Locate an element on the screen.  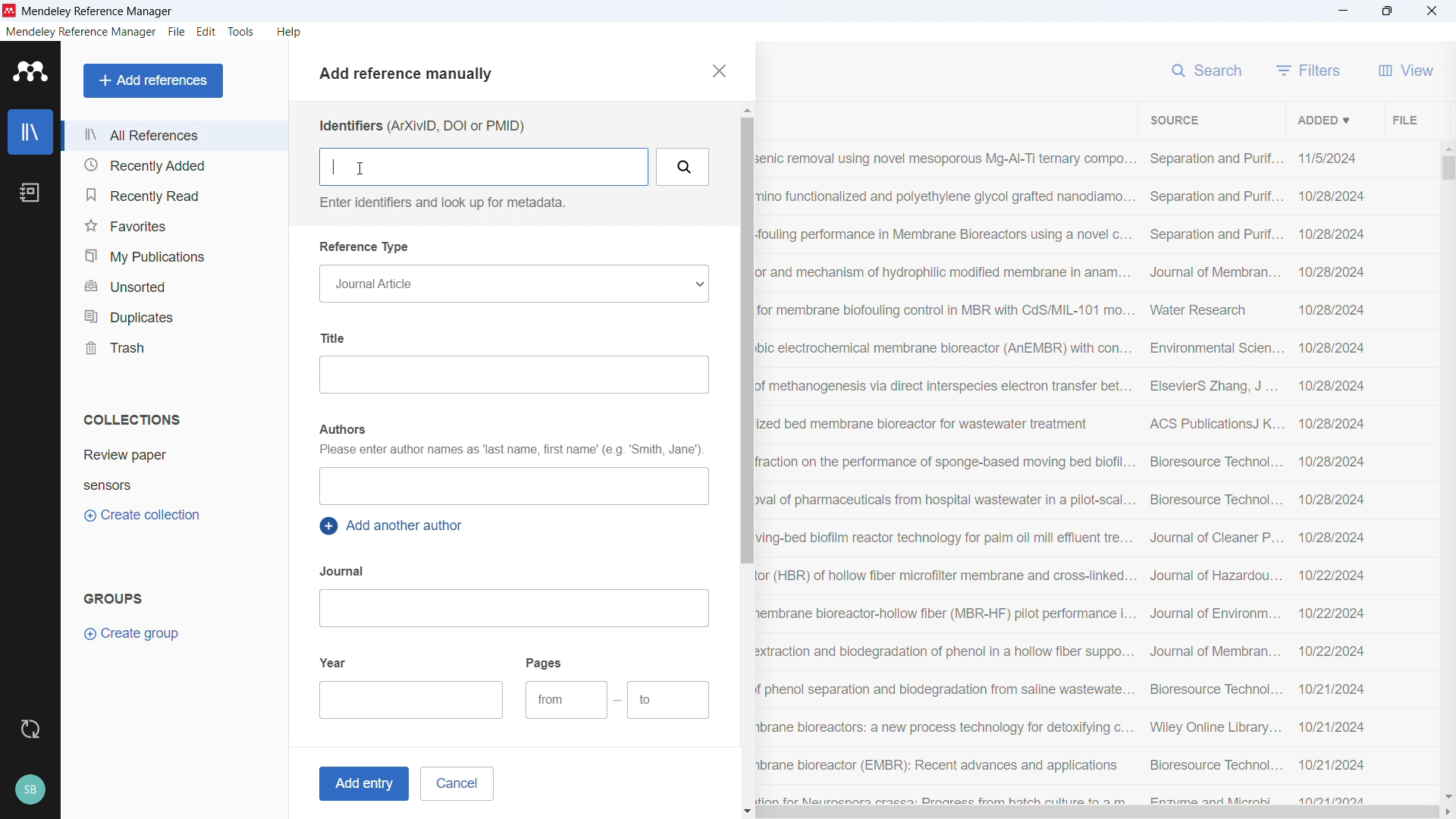
help  is located at coordinates (290, 32).